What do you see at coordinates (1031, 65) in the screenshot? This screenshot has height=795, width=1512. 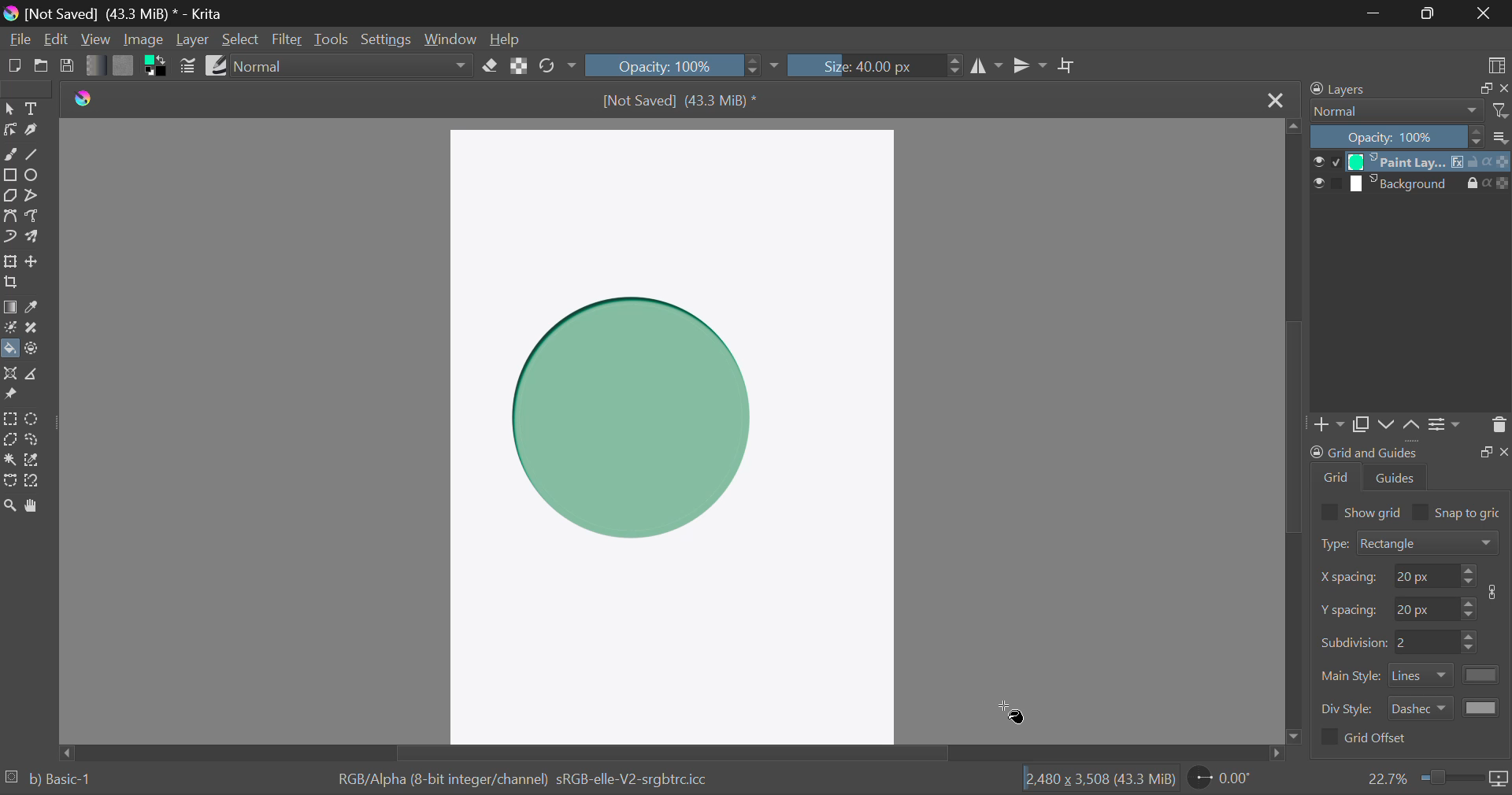 I see `Horizontal Mirror Flip` at bounding box center [1031, 65].